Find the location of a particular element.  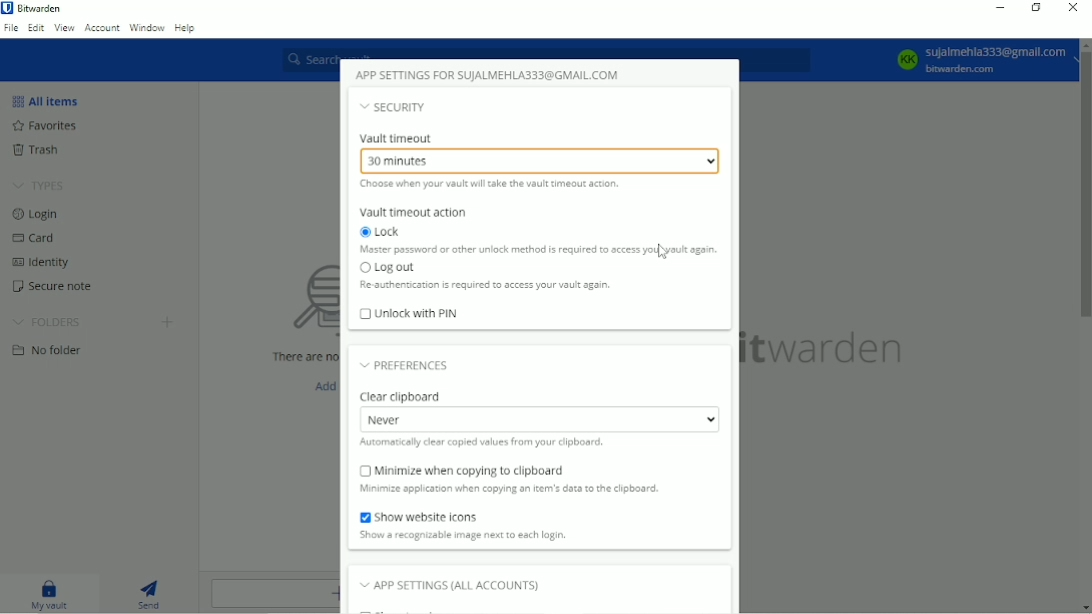

Login is located at coordinates (40, 215).